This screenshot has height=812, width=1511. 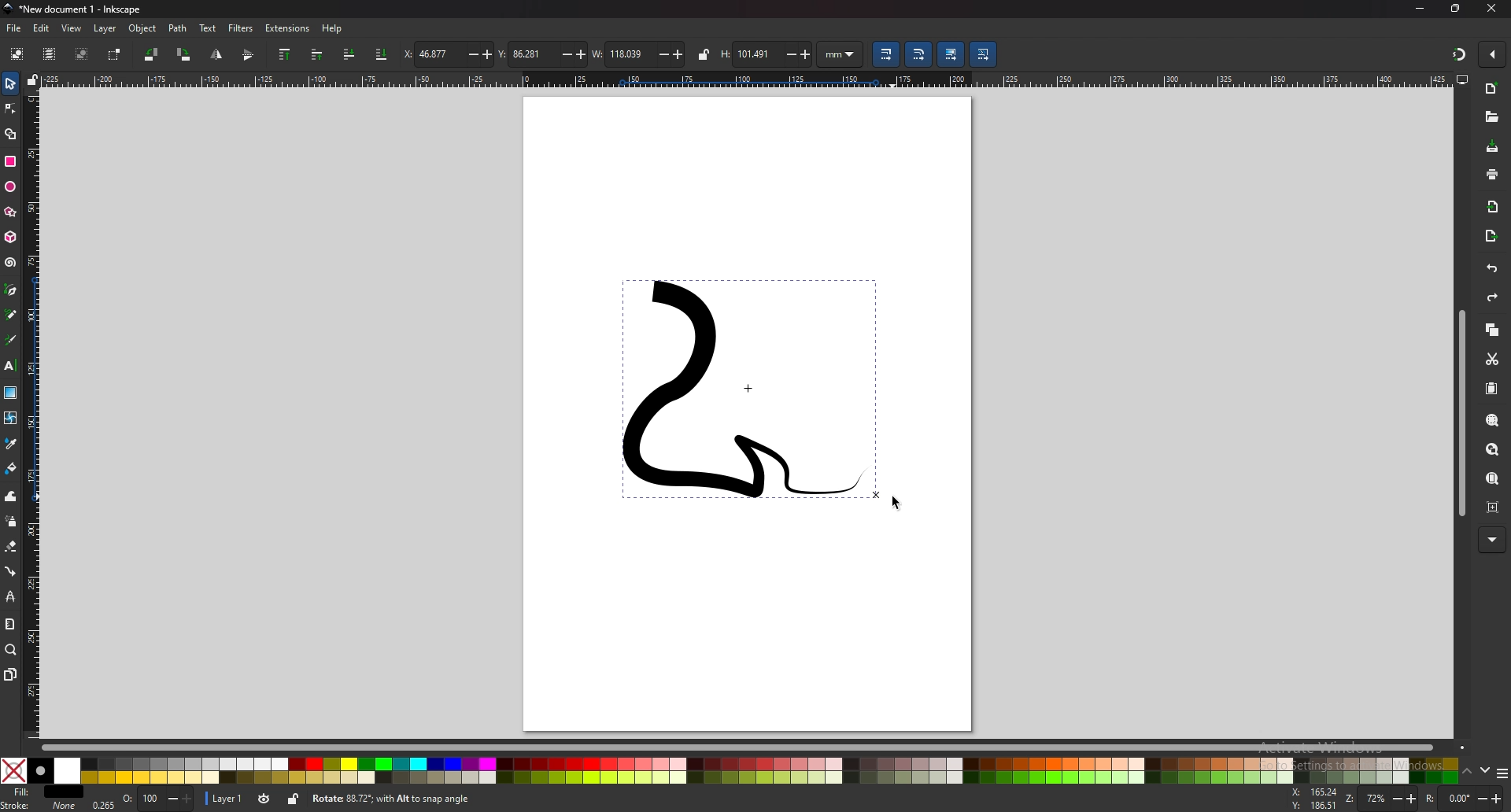 I want to click on lower selection to bottom, so click(x=381, y=54).